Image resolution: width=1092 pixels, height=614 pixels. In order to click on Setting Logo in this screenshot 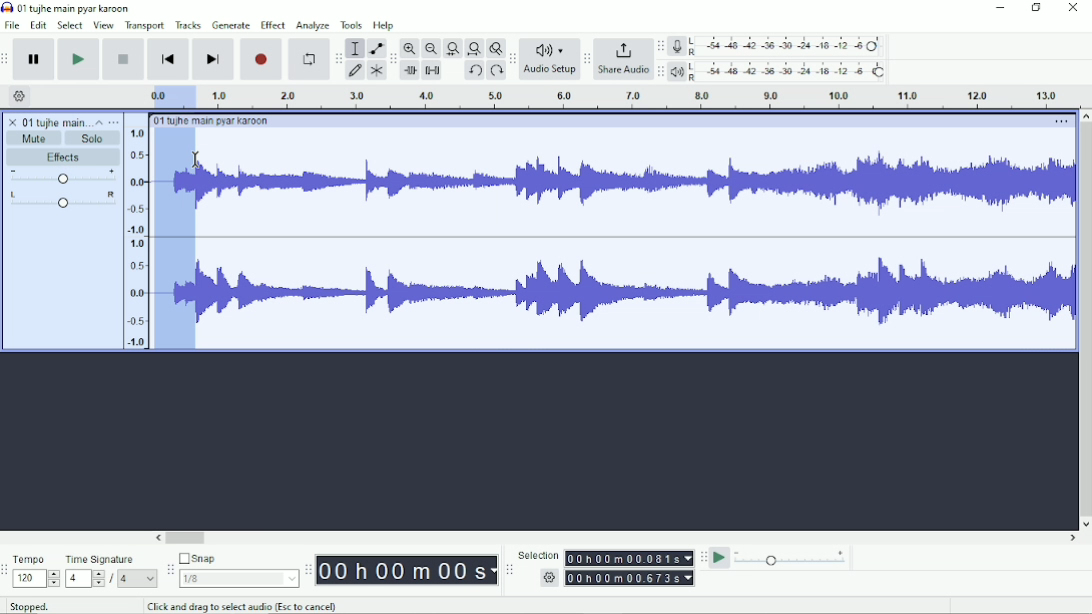, I will do `click(548, 580)`.